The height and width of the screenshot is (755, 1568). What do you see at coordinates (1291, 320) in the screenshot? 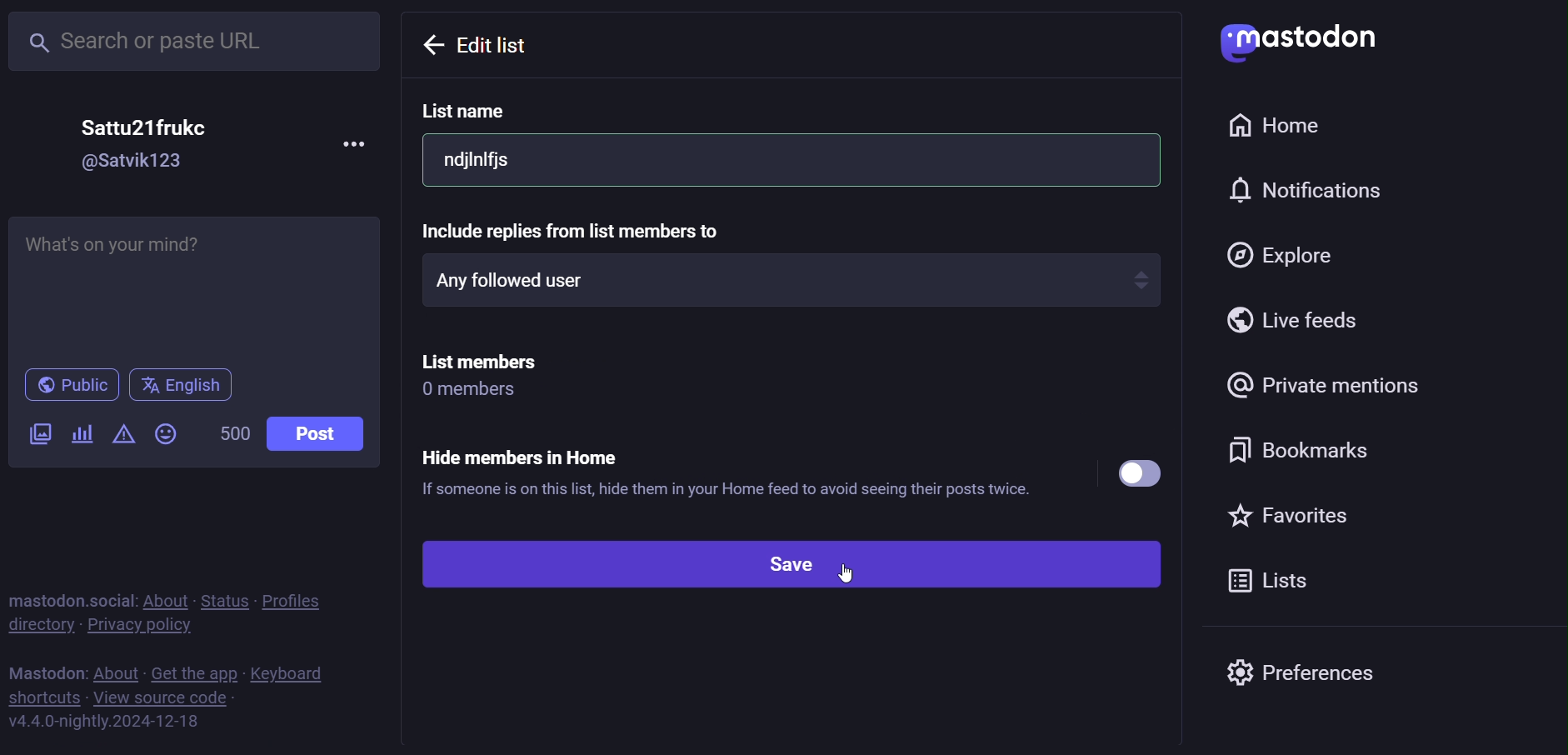
I see `live feed` at bounding box center [1291, 320].